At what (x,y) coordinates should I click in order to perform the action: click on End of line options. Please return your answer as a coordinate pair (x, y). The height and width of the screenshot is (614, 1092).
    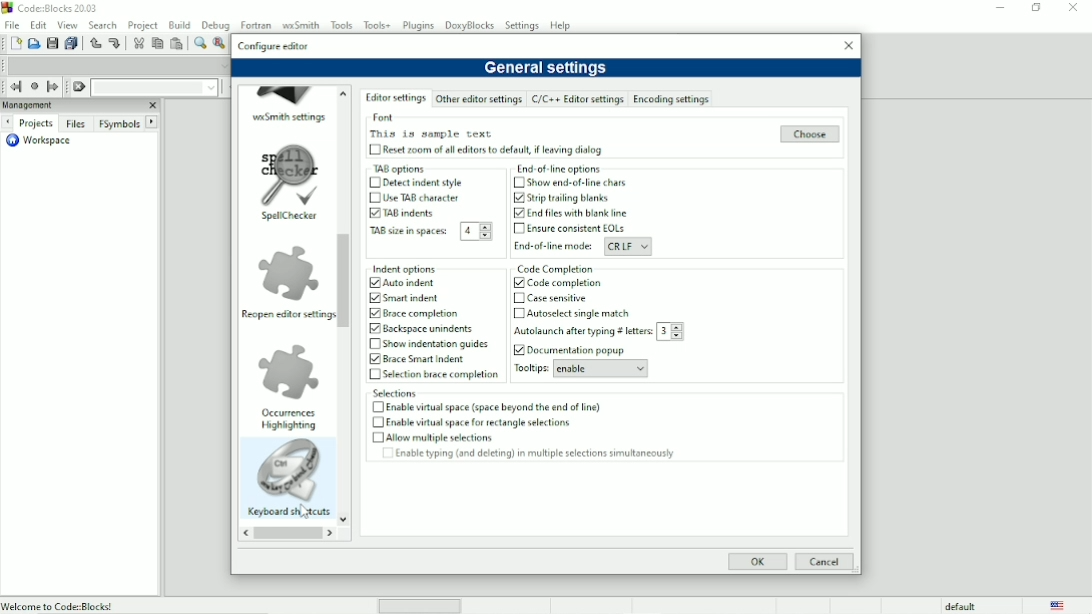
    Looking at the image, I should click on (556, 169).